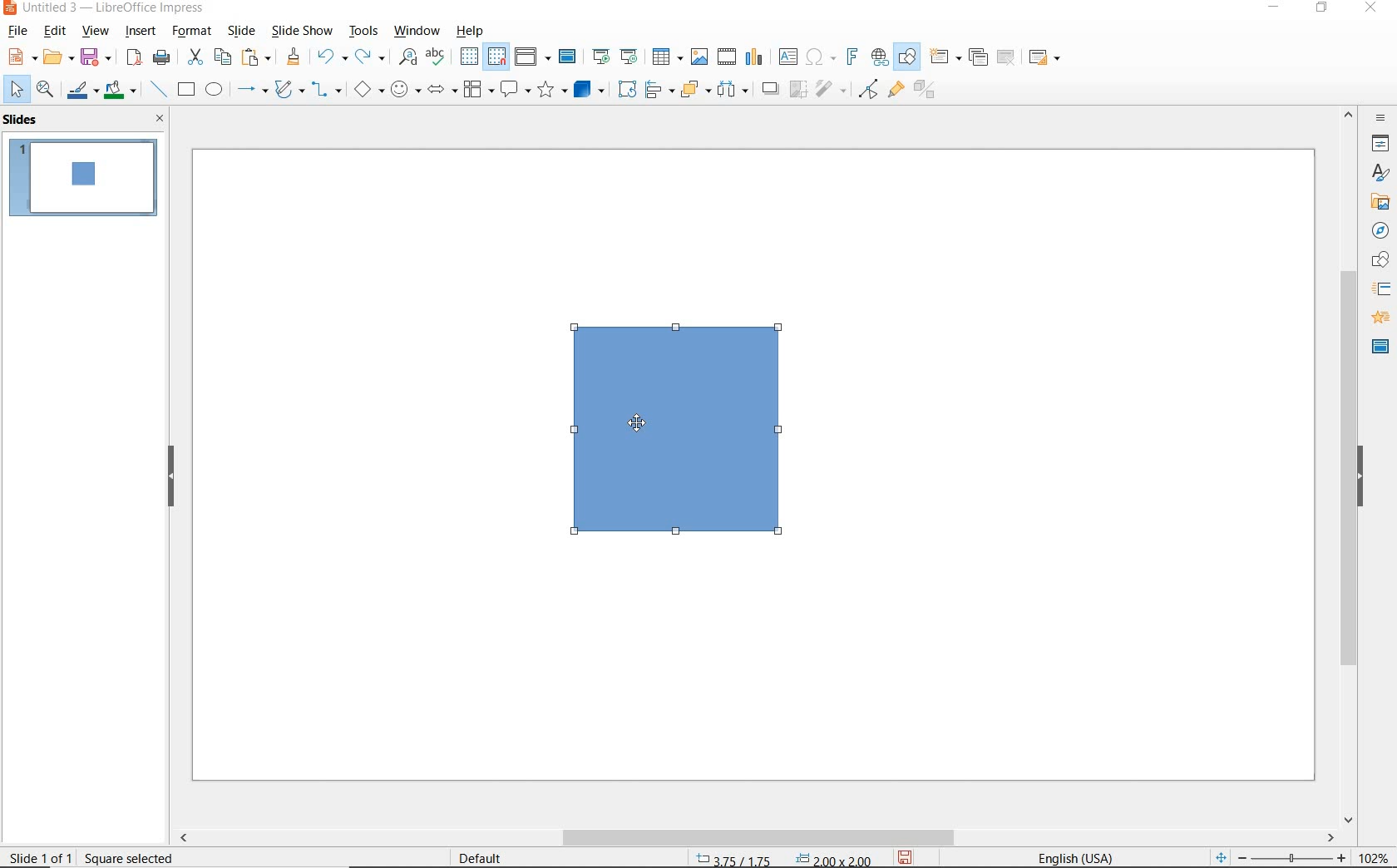  I want to click on select, so click(13, 91).